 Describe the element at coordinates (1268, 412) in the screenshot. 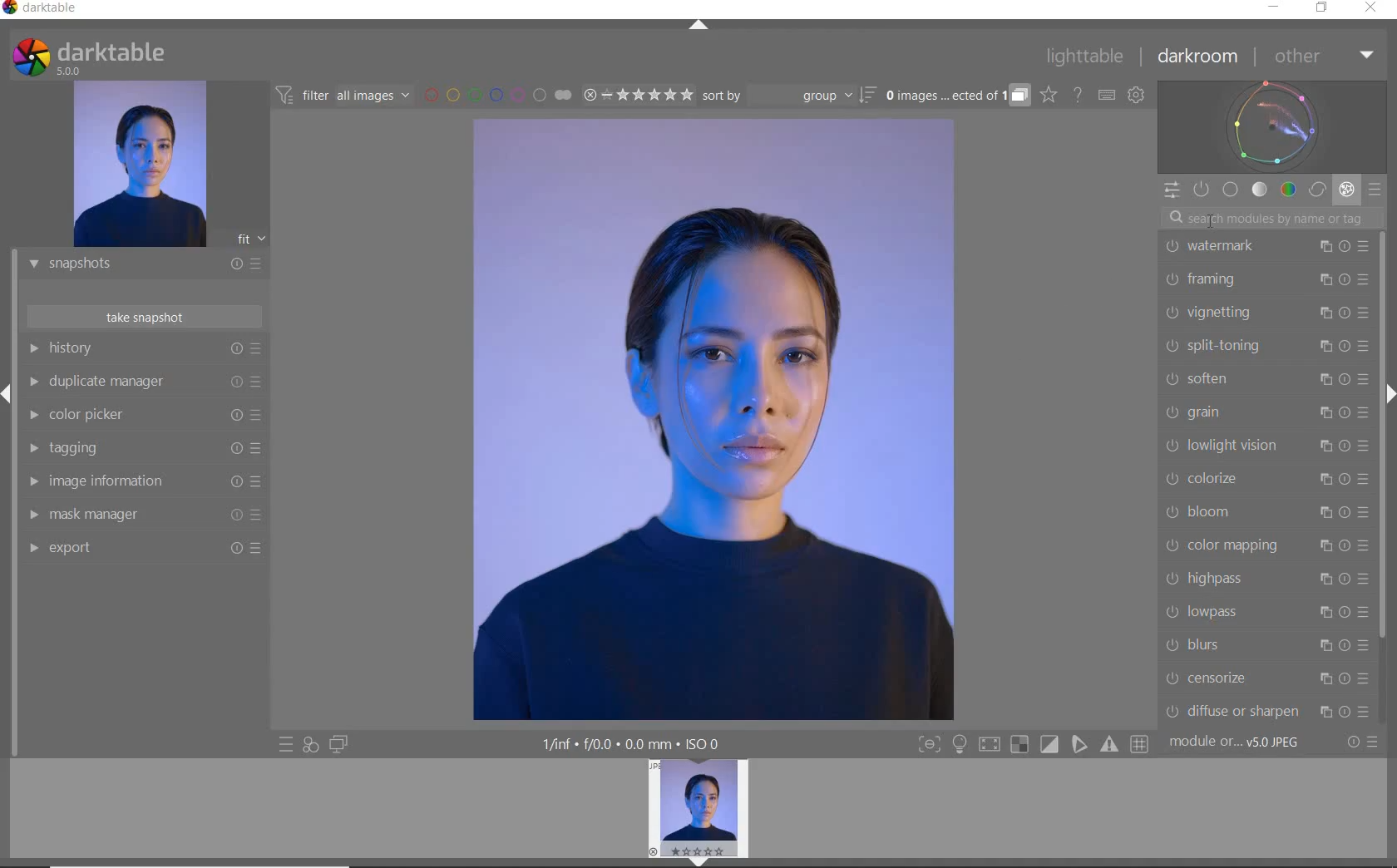

I see `GRAIN` at that location.